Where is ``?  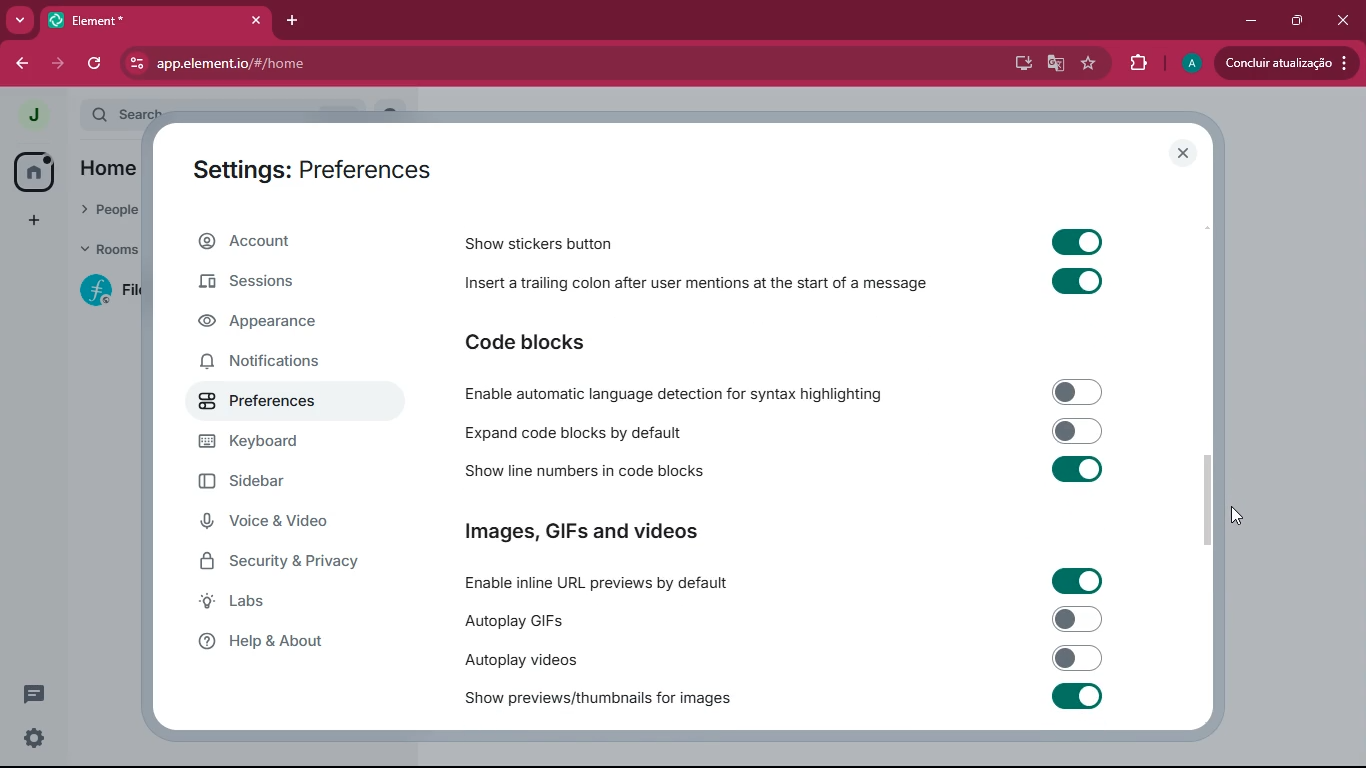  is located at coordinates (1077, 696).